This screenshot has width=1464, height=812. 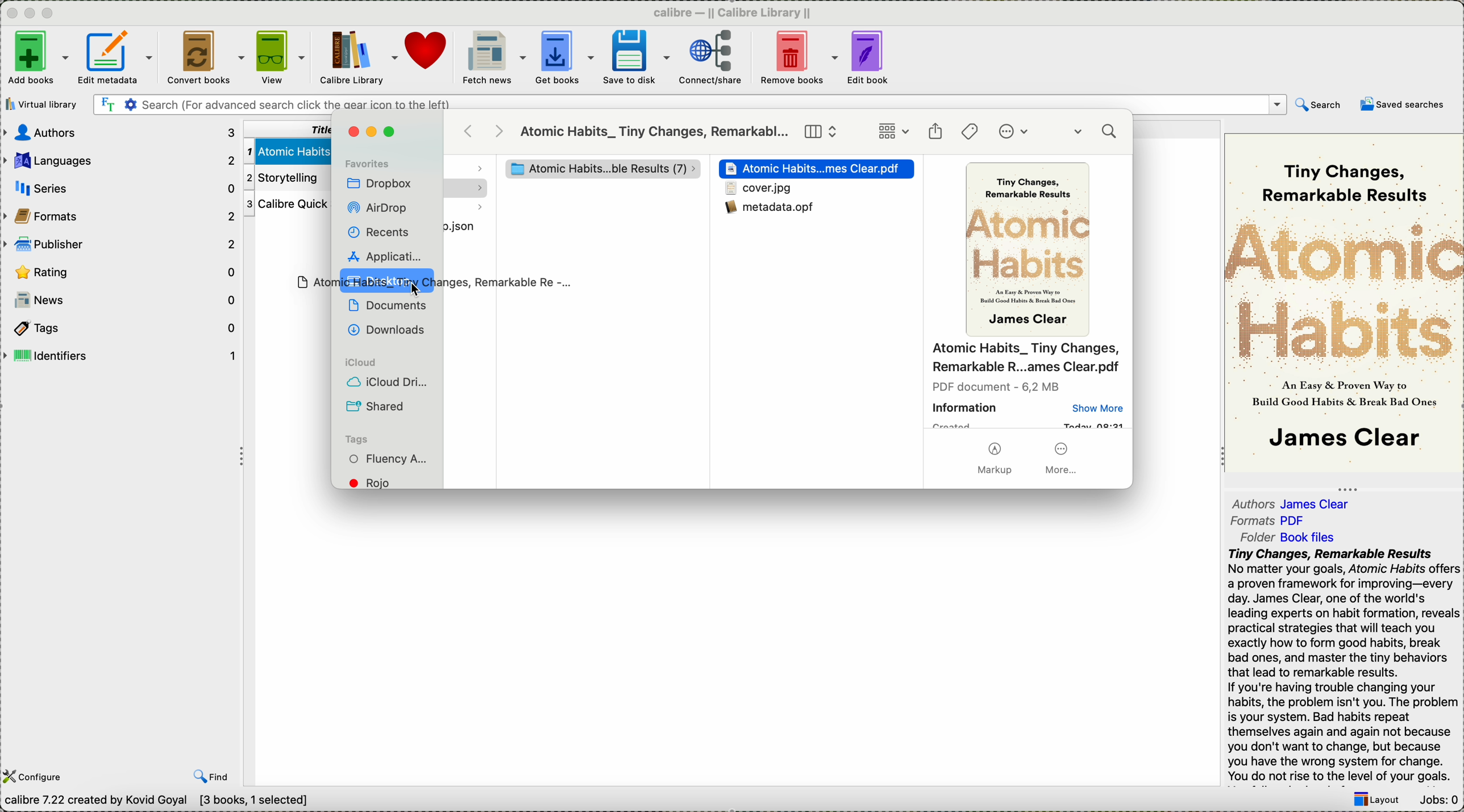 I want to click on file name, so click(x=1026, y=359).